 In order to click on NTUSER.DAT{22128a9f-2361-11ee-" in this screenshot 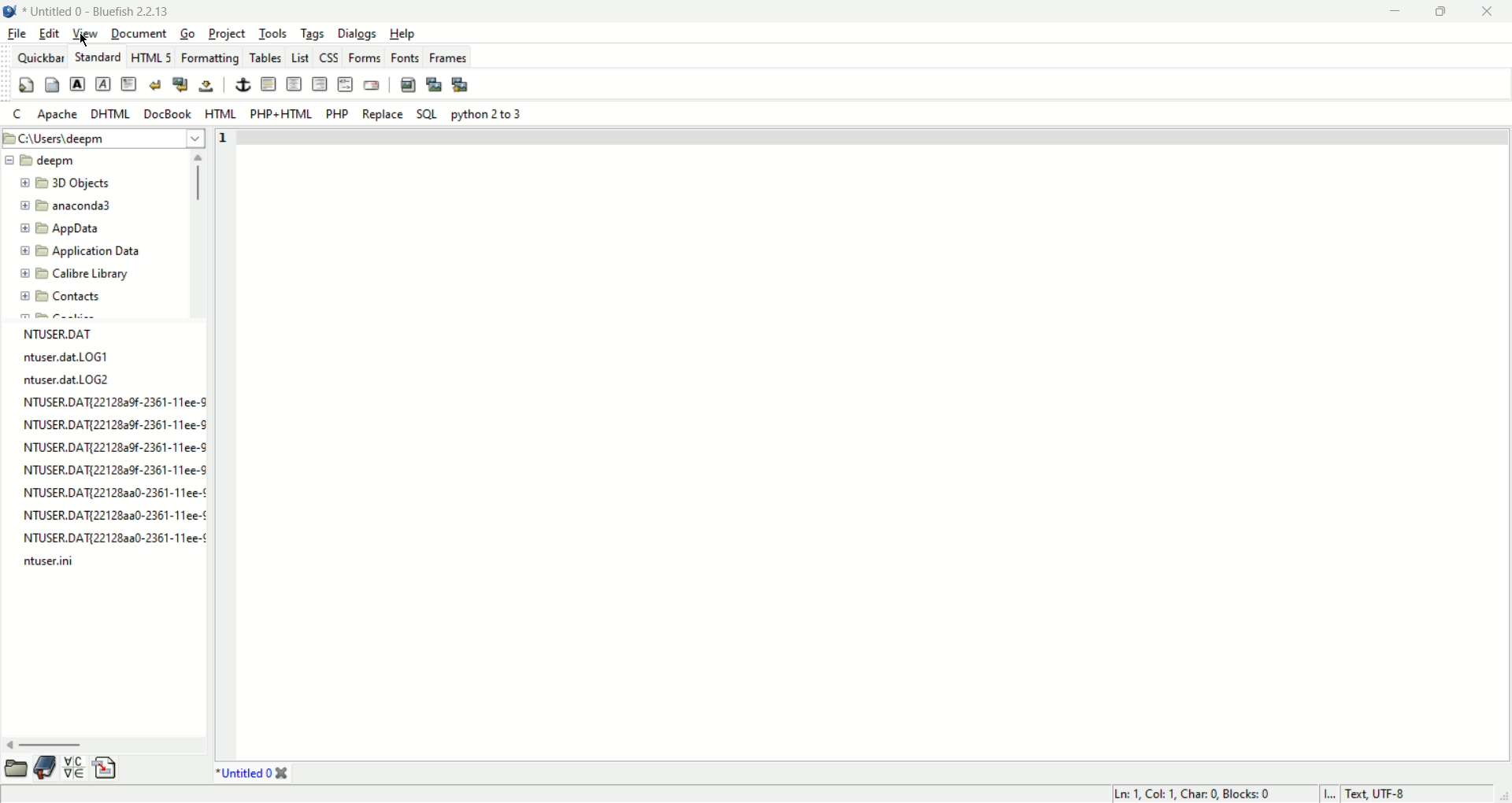, I will do `click(113, 447)`.